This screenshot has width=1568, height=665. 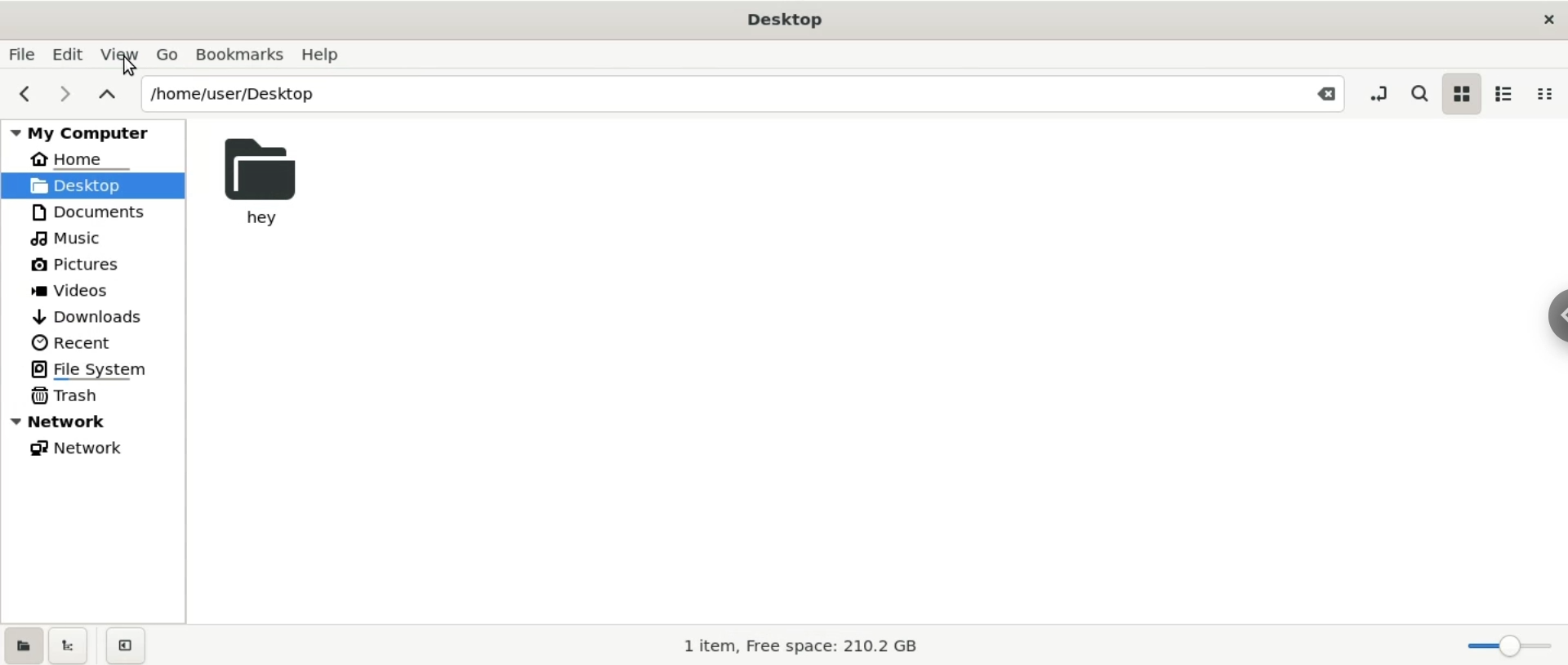 What do you see at coordinates (31, 94) in the screenshot?
I see `previous` at bounding box center [31, 94].